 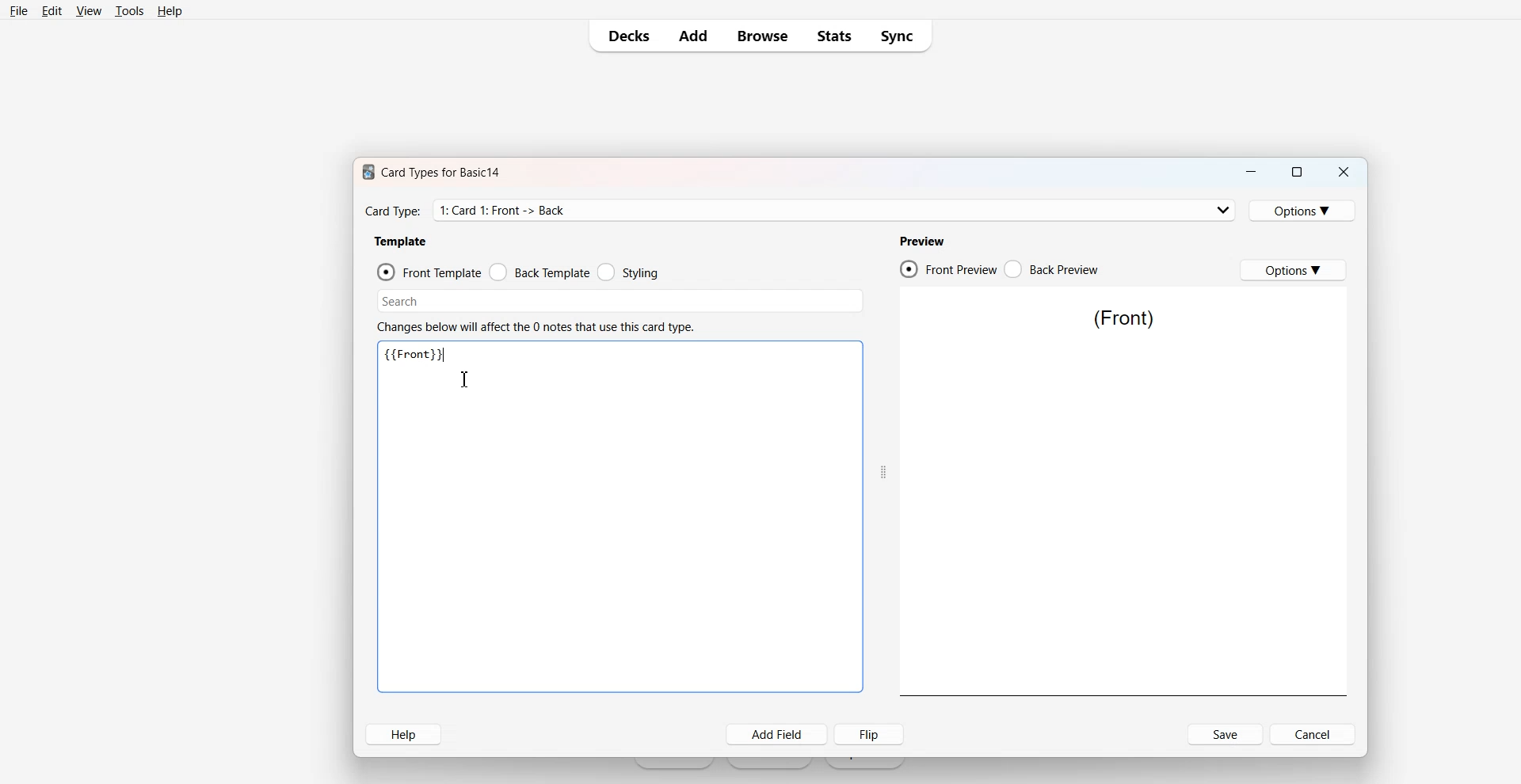 What do you see at coordinates (20, 11) in the screenshot?
I see `File` at bounding box center [20, 11].